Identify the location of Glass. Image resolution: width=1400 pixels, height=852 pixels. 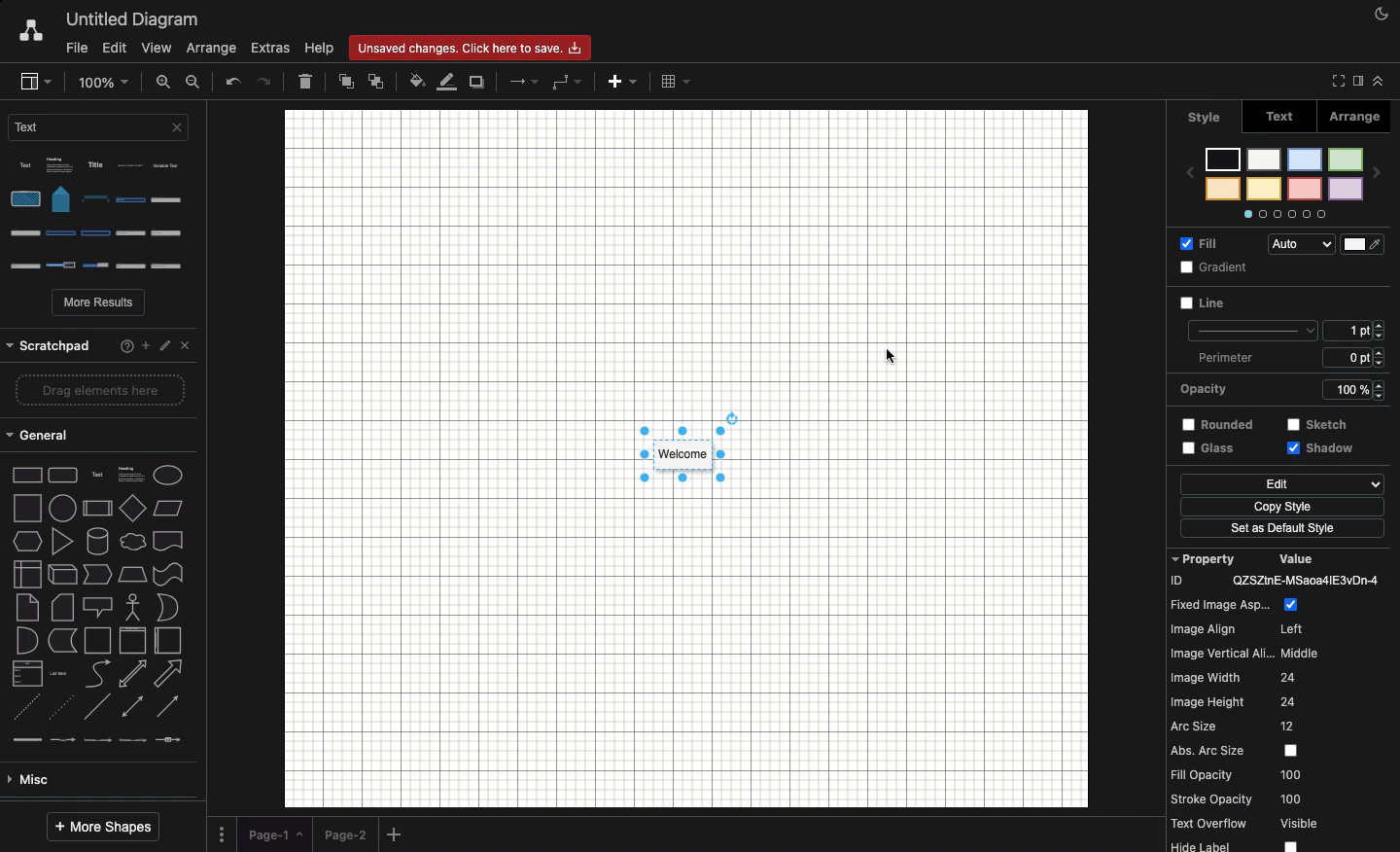
(1209, 427).